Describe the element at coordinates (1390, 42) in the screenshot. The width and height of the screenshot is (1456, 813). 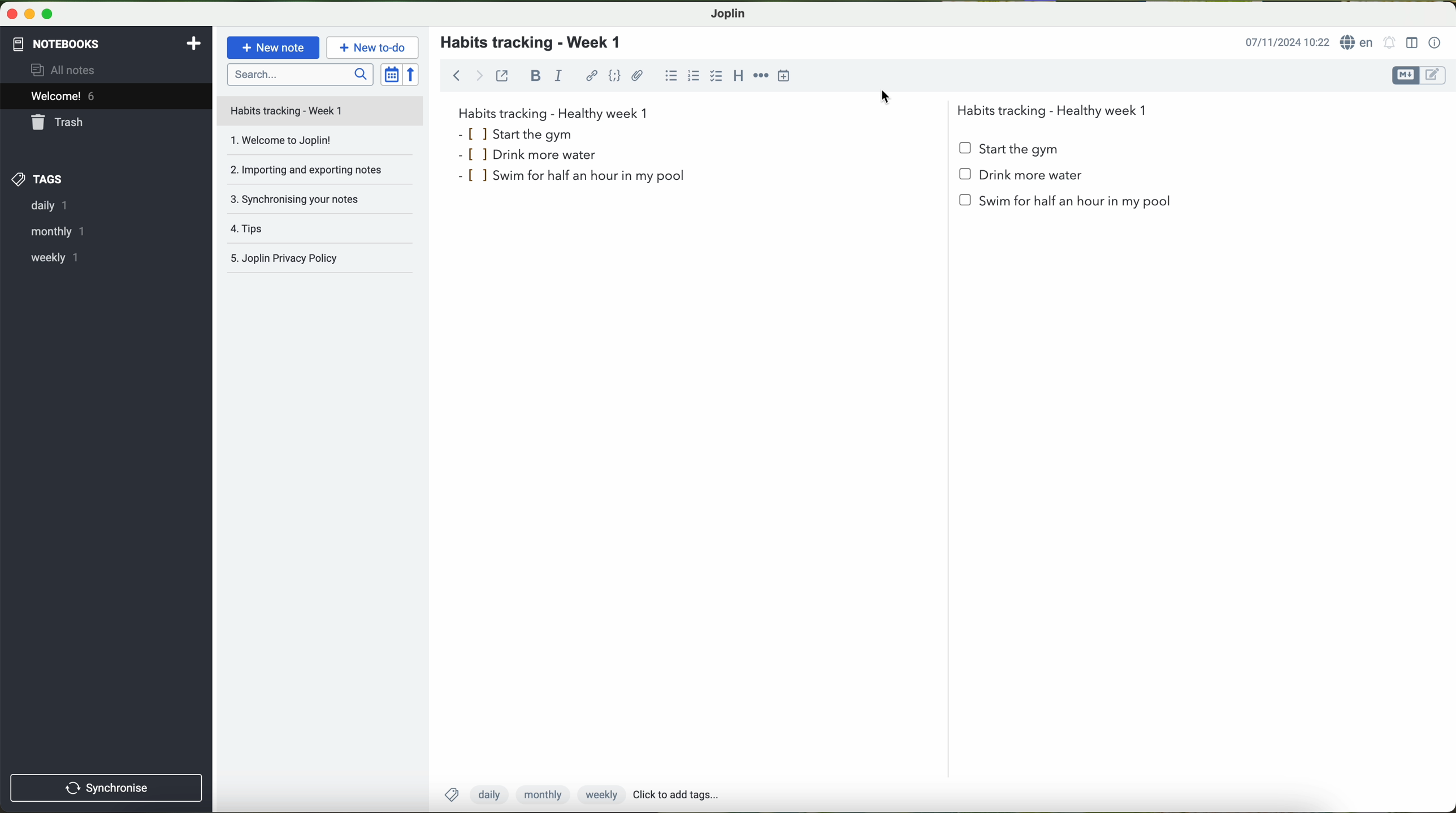
I see `set alarm` at that location.